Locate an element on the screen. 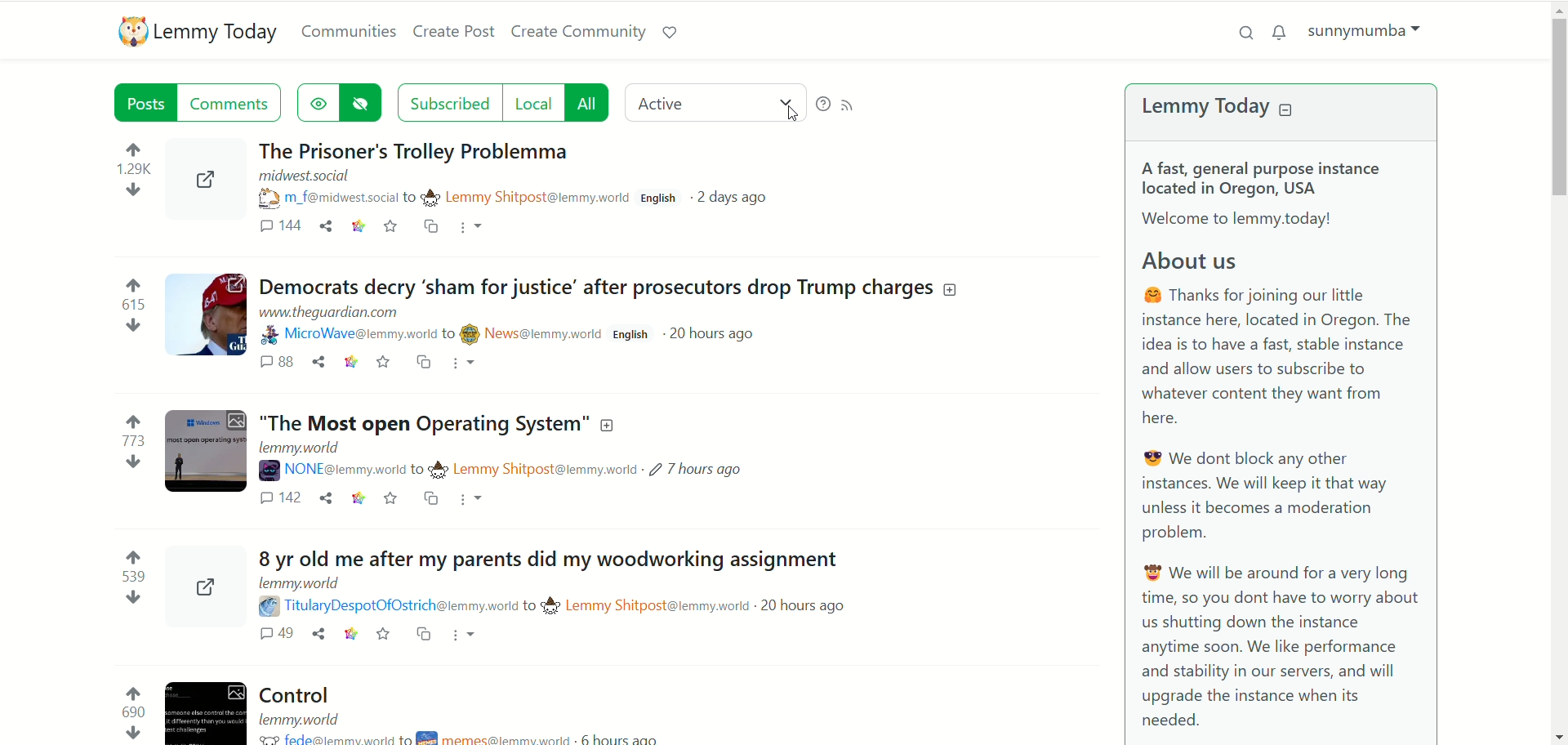 Image resolution: width=1568 pixels, height=745 pixels. search is located at coordinates (1247, 31).